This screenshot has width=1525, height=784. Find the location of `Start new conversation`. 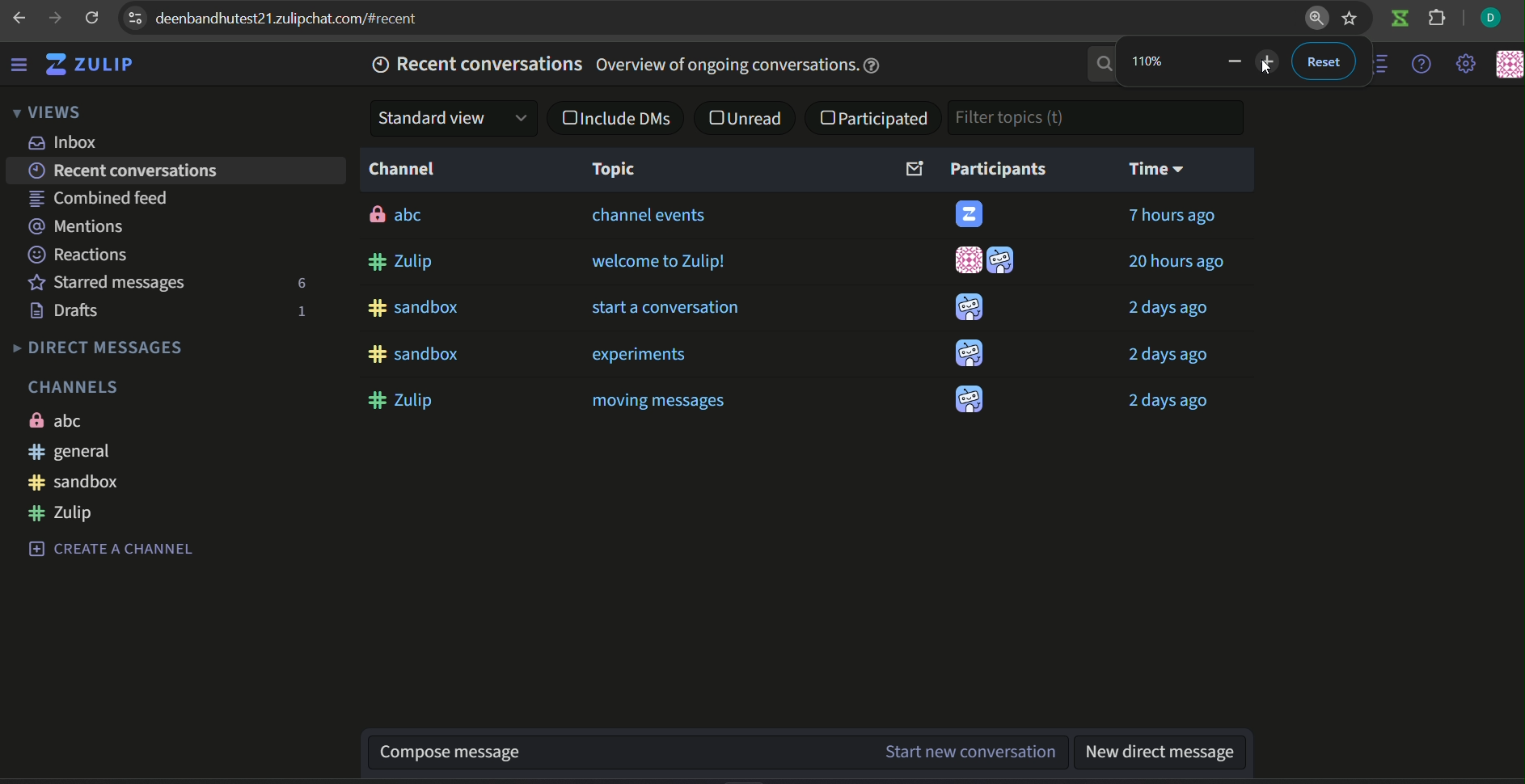

Start new conversation is located at coordinates (973, 752).